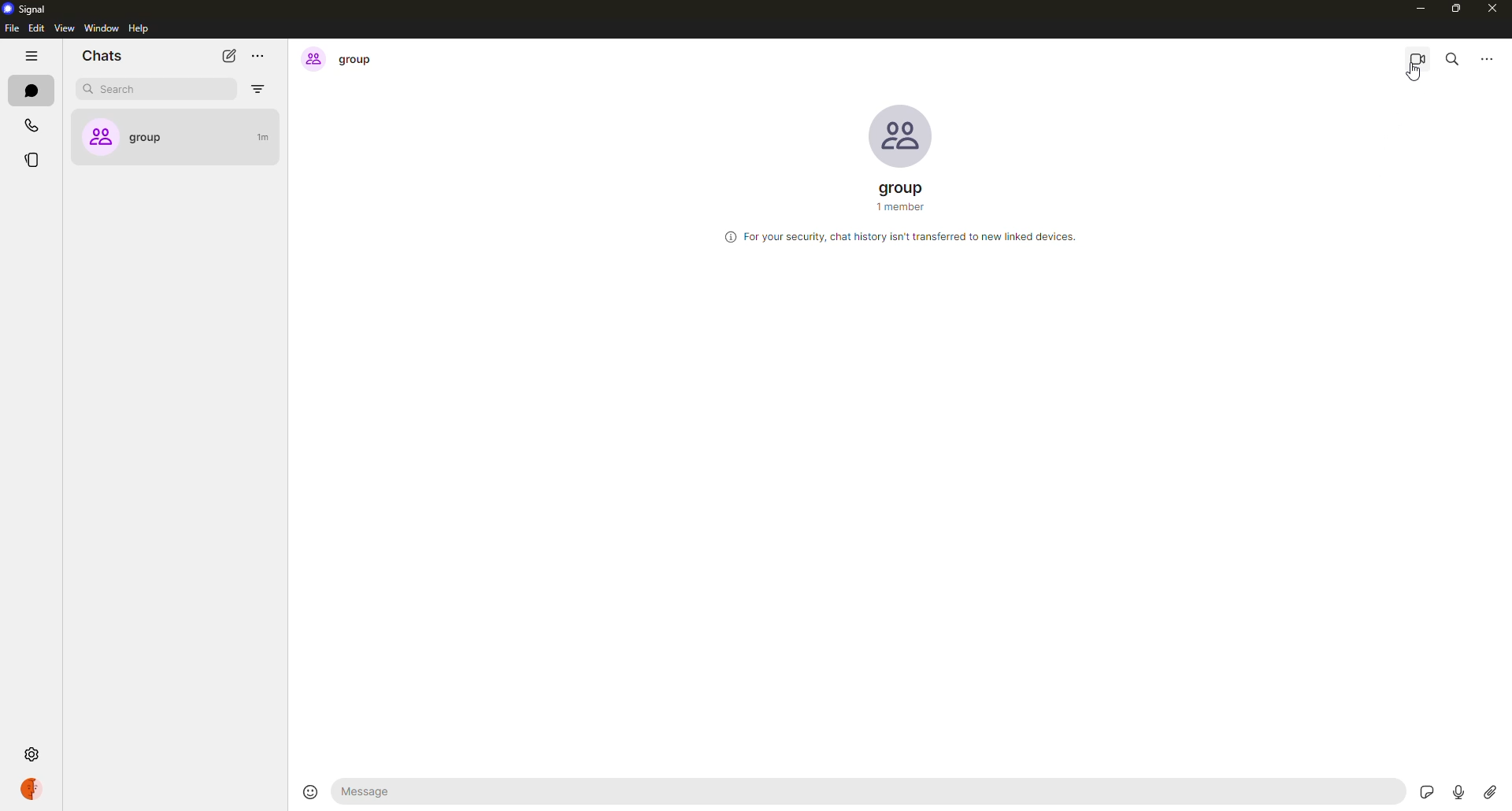  I want to click on more, so click(260, 58).